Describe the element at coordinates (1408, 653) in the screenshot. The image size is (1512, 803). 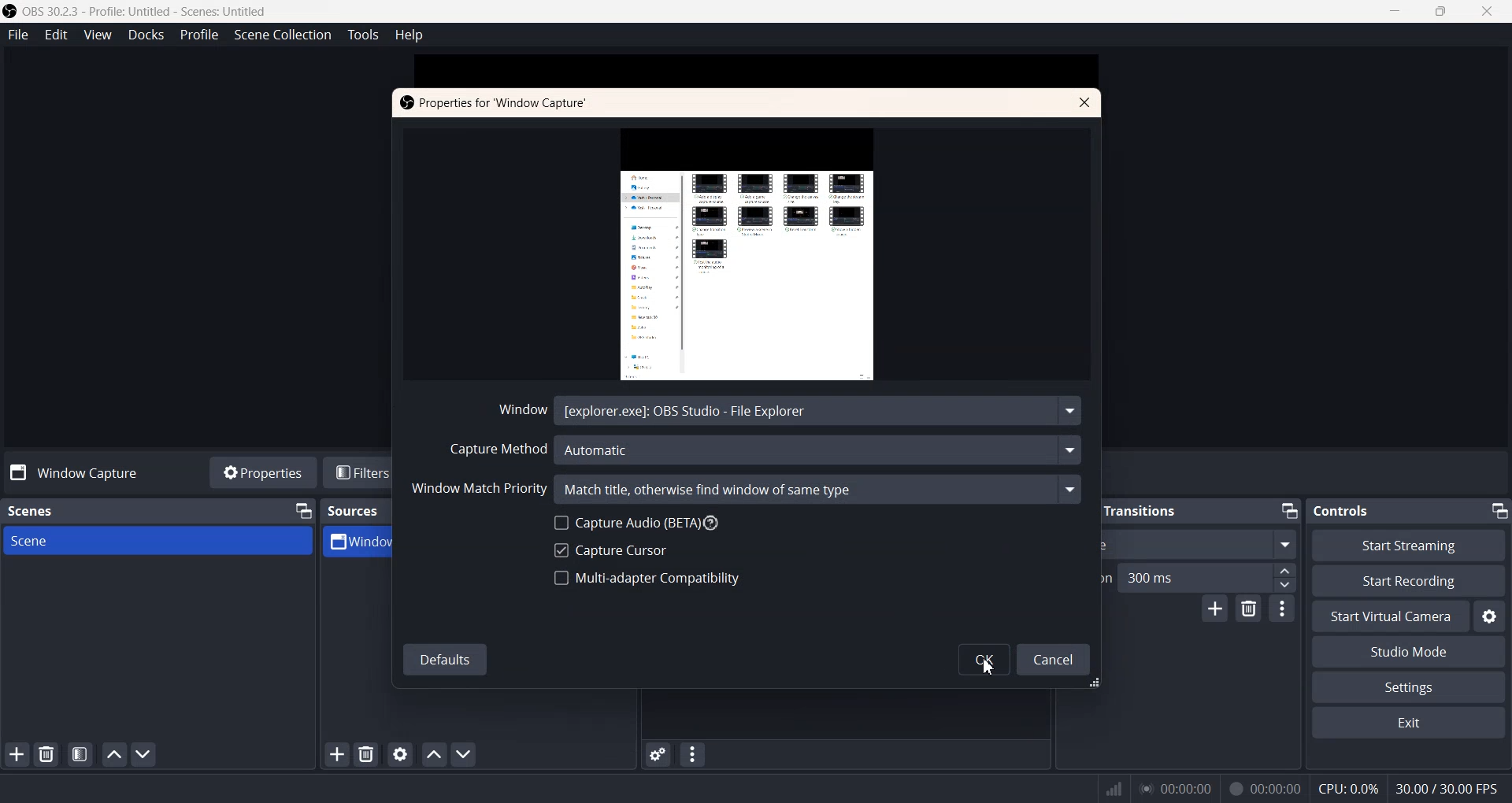
I see `Studio Mode` at that location.